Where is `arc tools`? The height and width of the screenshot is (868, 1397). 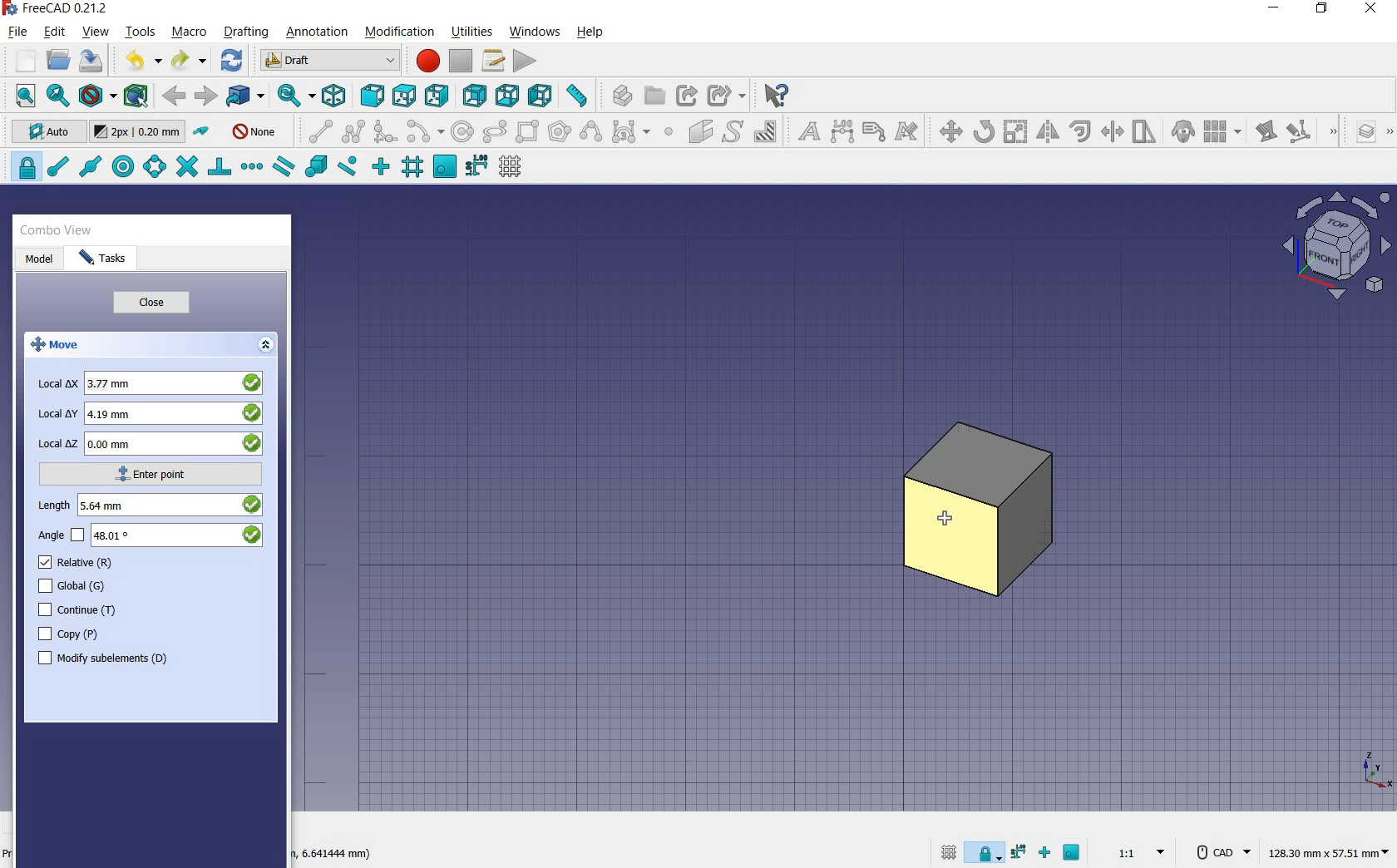
arc tools is located at coordinates (425, 131).